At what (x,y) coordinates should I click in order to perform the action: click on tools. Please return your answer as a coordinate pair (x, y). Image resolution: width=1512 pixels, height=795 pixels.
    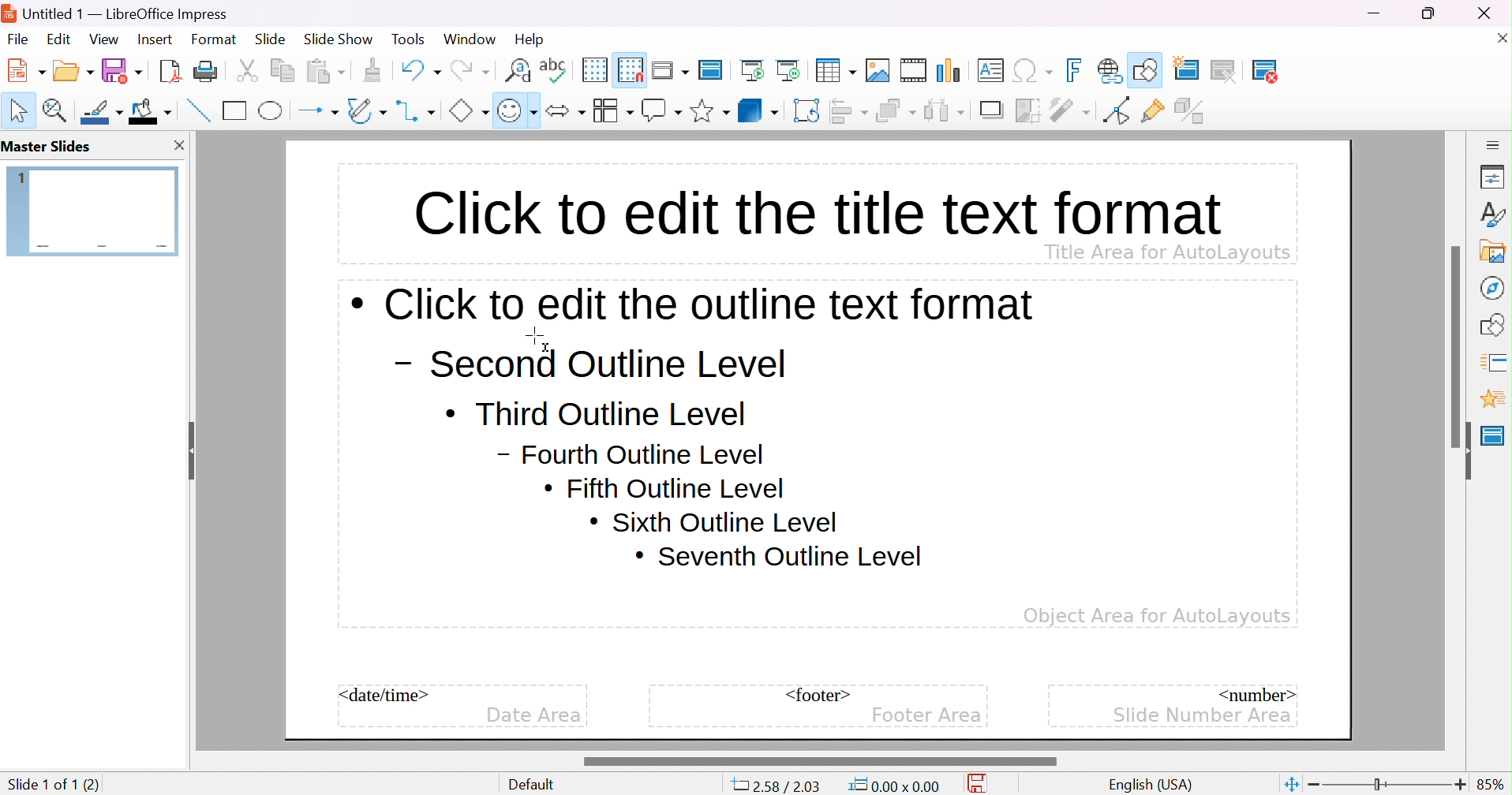
    Looking at the image, I should click on (410, 39).